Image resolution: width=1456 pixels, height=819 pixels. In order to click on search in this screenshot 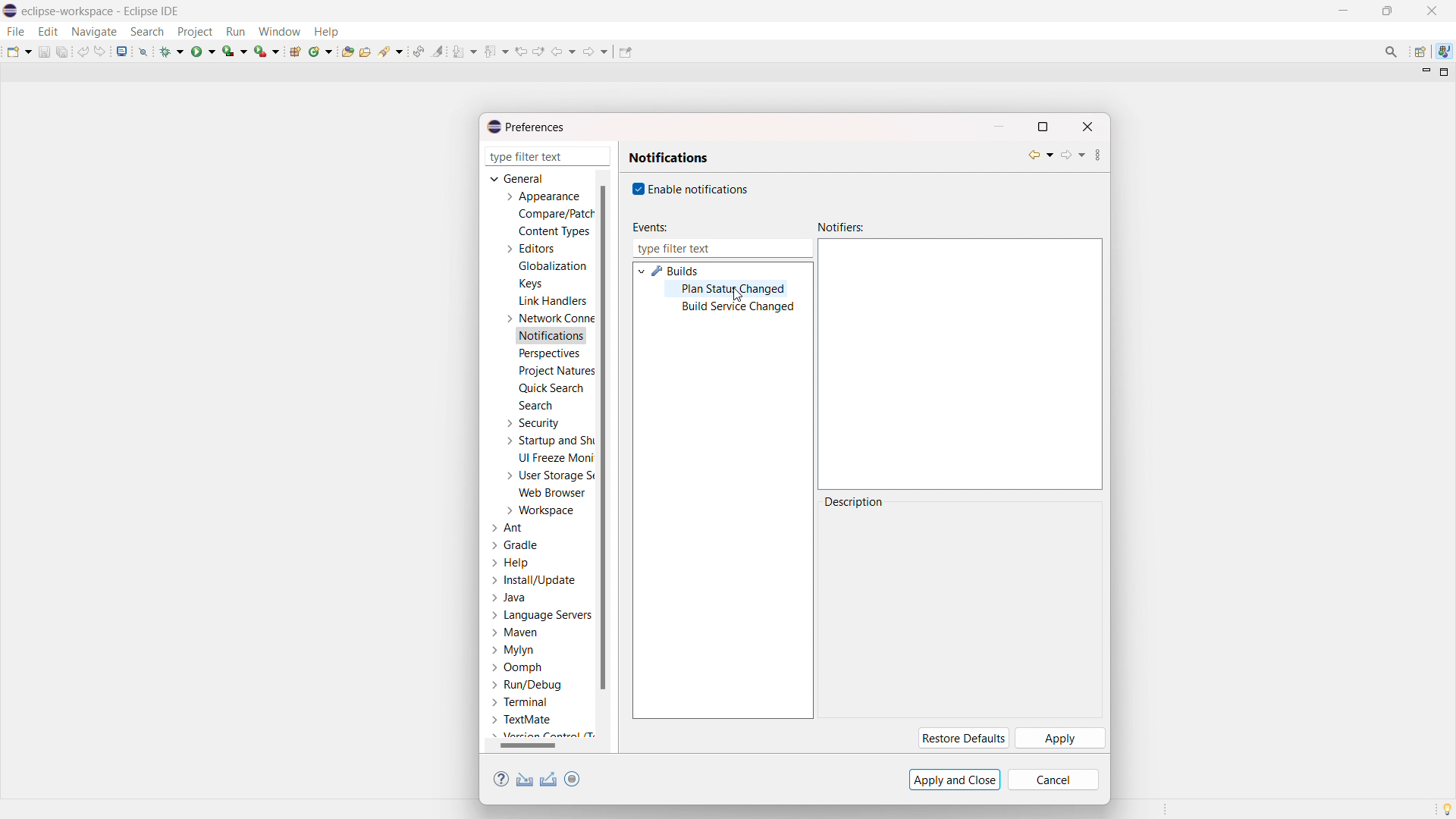, I will do `click(147, 32)`.